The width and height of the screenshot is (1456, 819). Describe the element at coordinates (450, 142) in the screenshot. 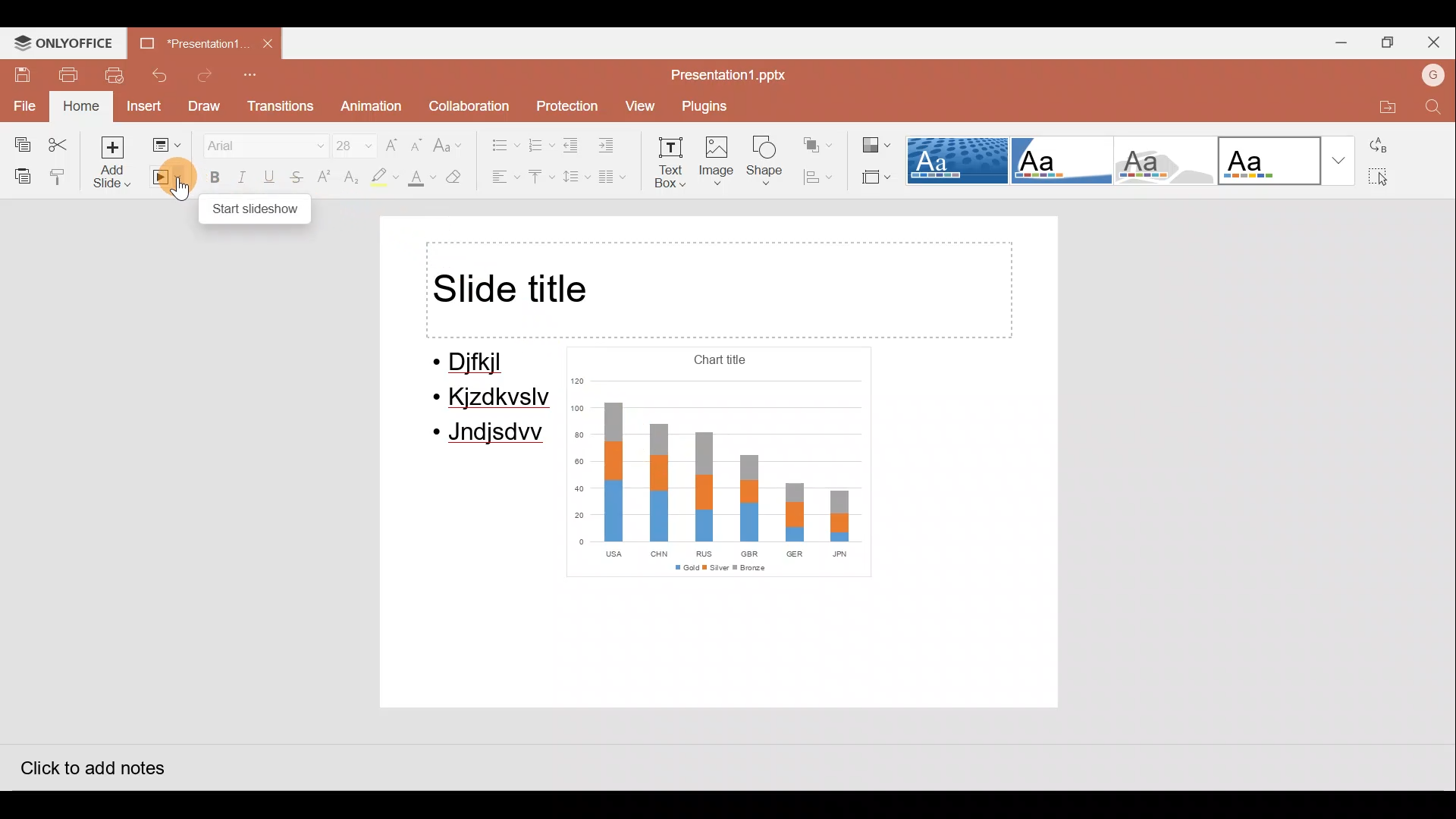

I see `Change case` at that location.